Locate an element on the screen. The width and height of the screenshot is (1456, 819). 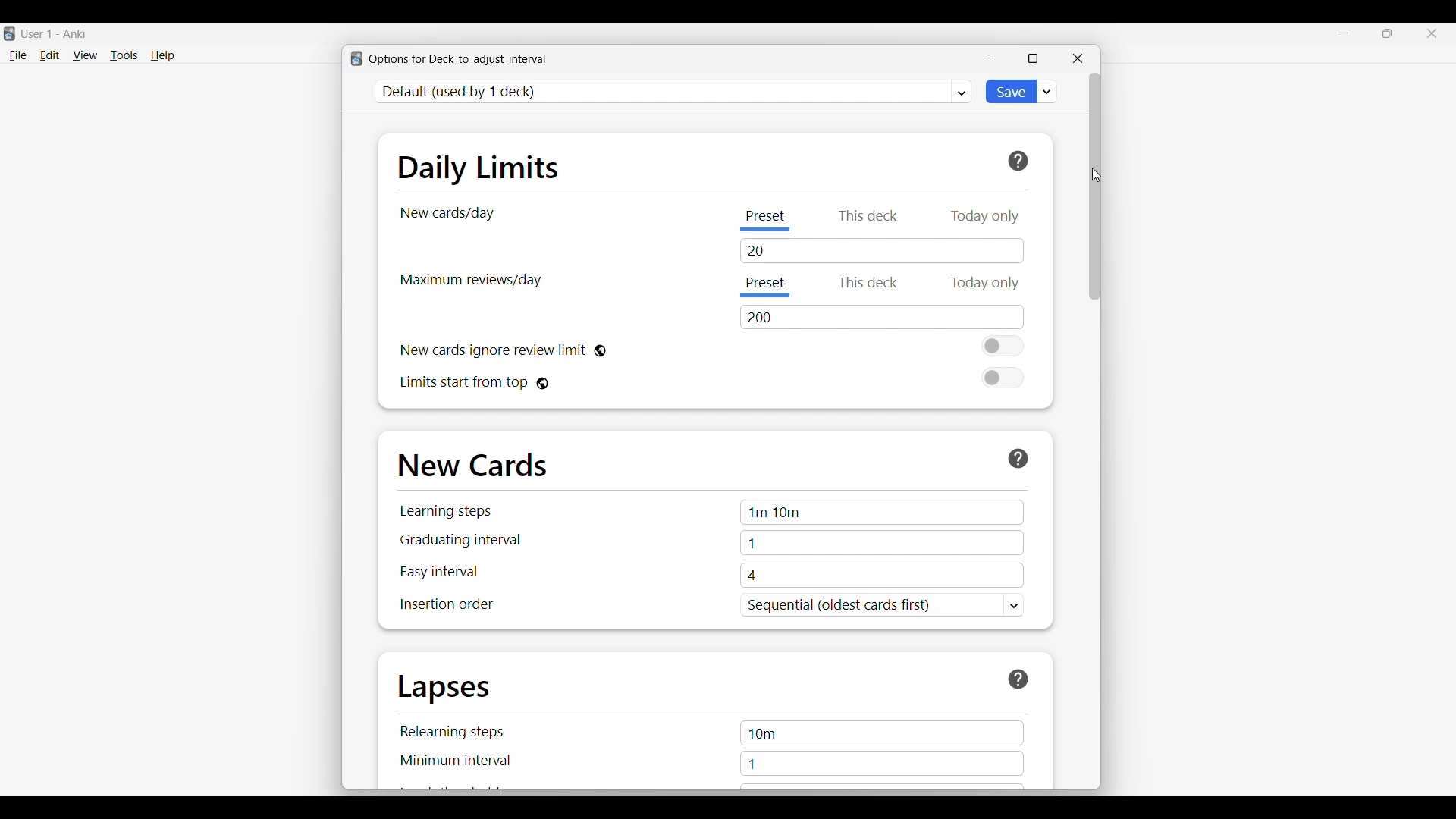
Click to know more about respective section is located at coordinates (1018, 162).